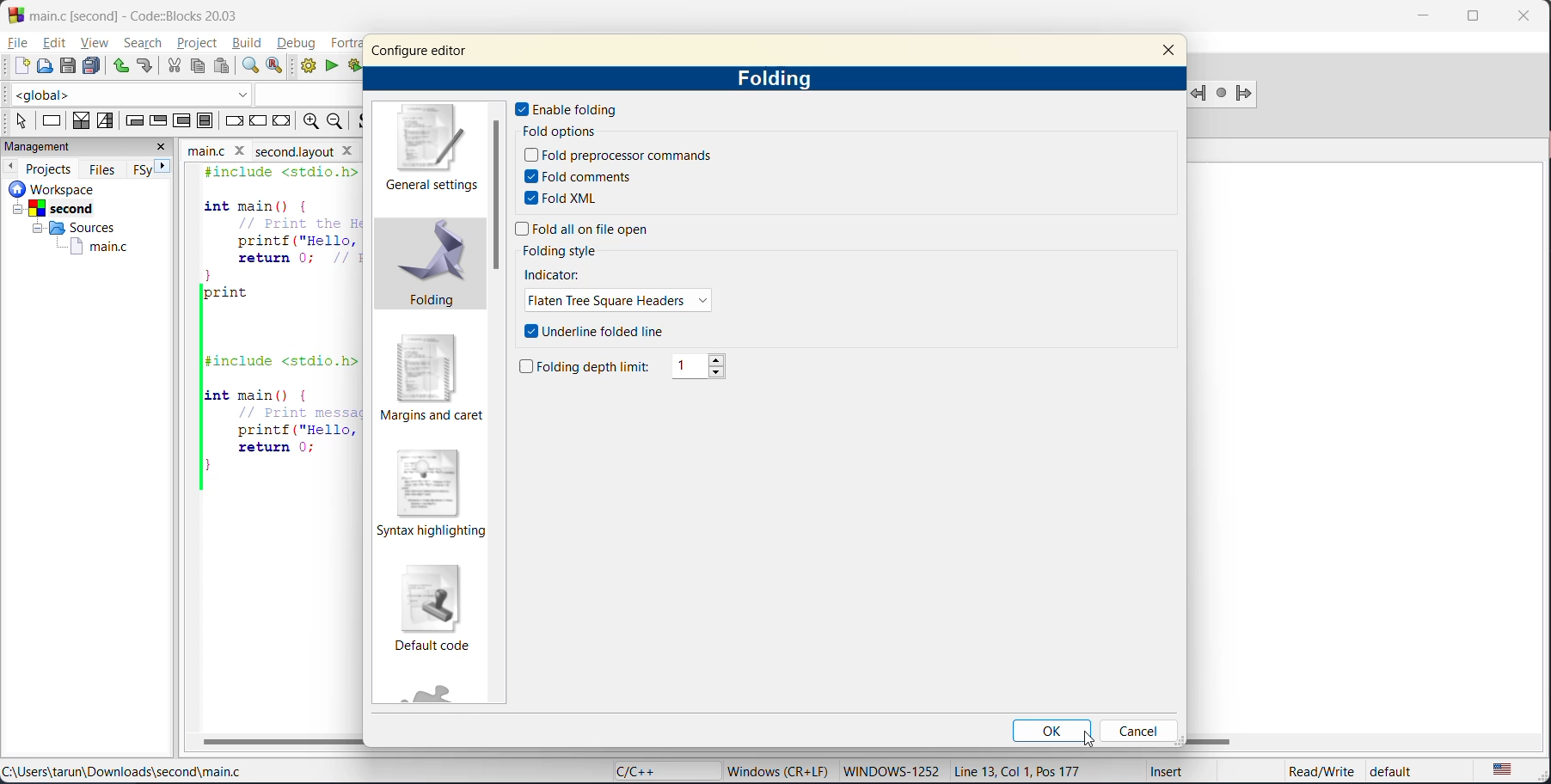 This screenshot has height=784, width=1551. Describe the element at coordinates (104, 168) in the screenshot. I see `files` at that location.